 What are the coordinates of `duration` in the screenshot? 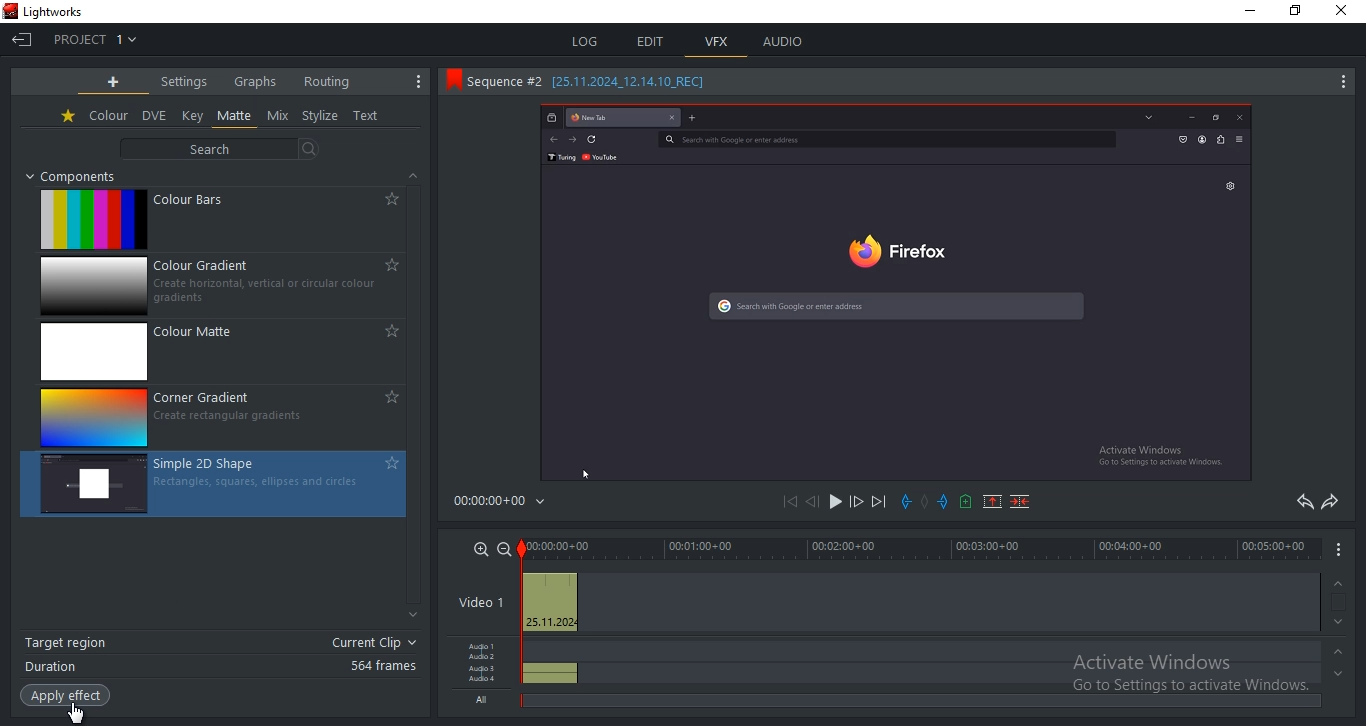 It's located at (221, 666).